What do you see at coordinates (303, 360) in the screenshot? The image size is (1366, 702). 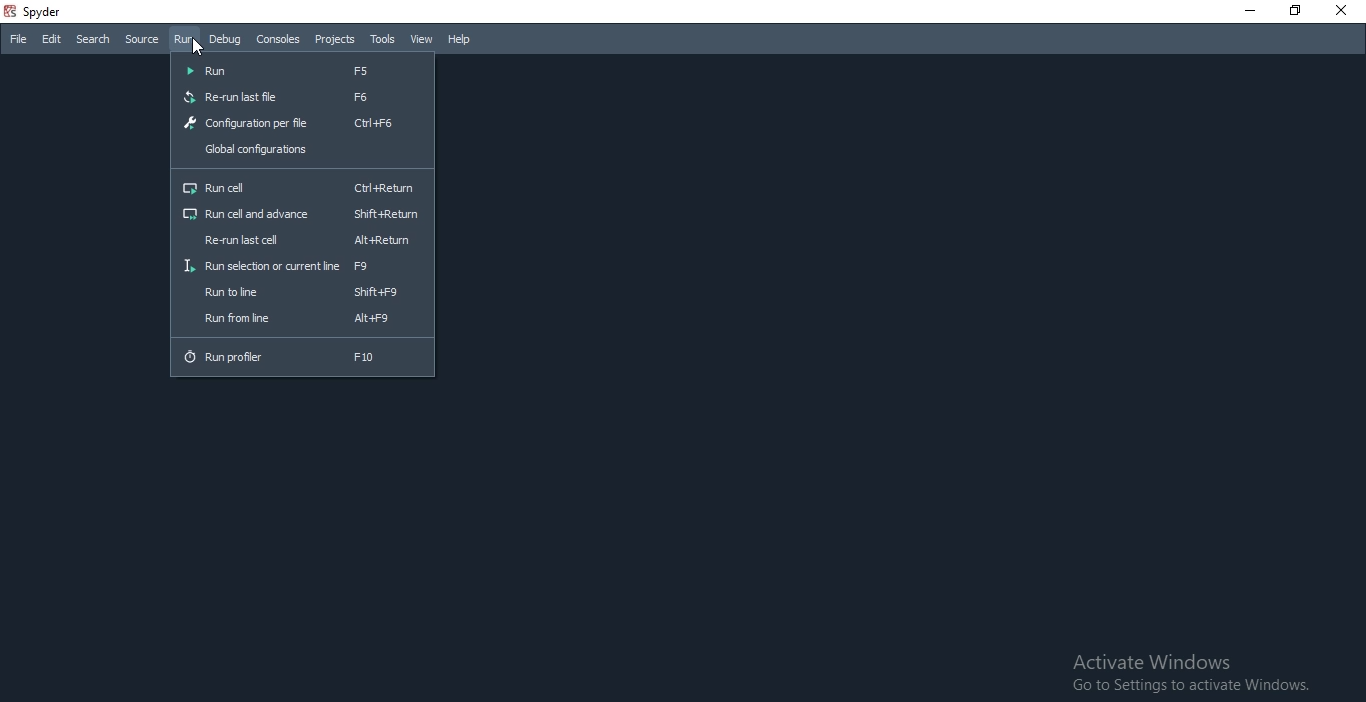 I see `run profiler` at bounding box center [303, 360].